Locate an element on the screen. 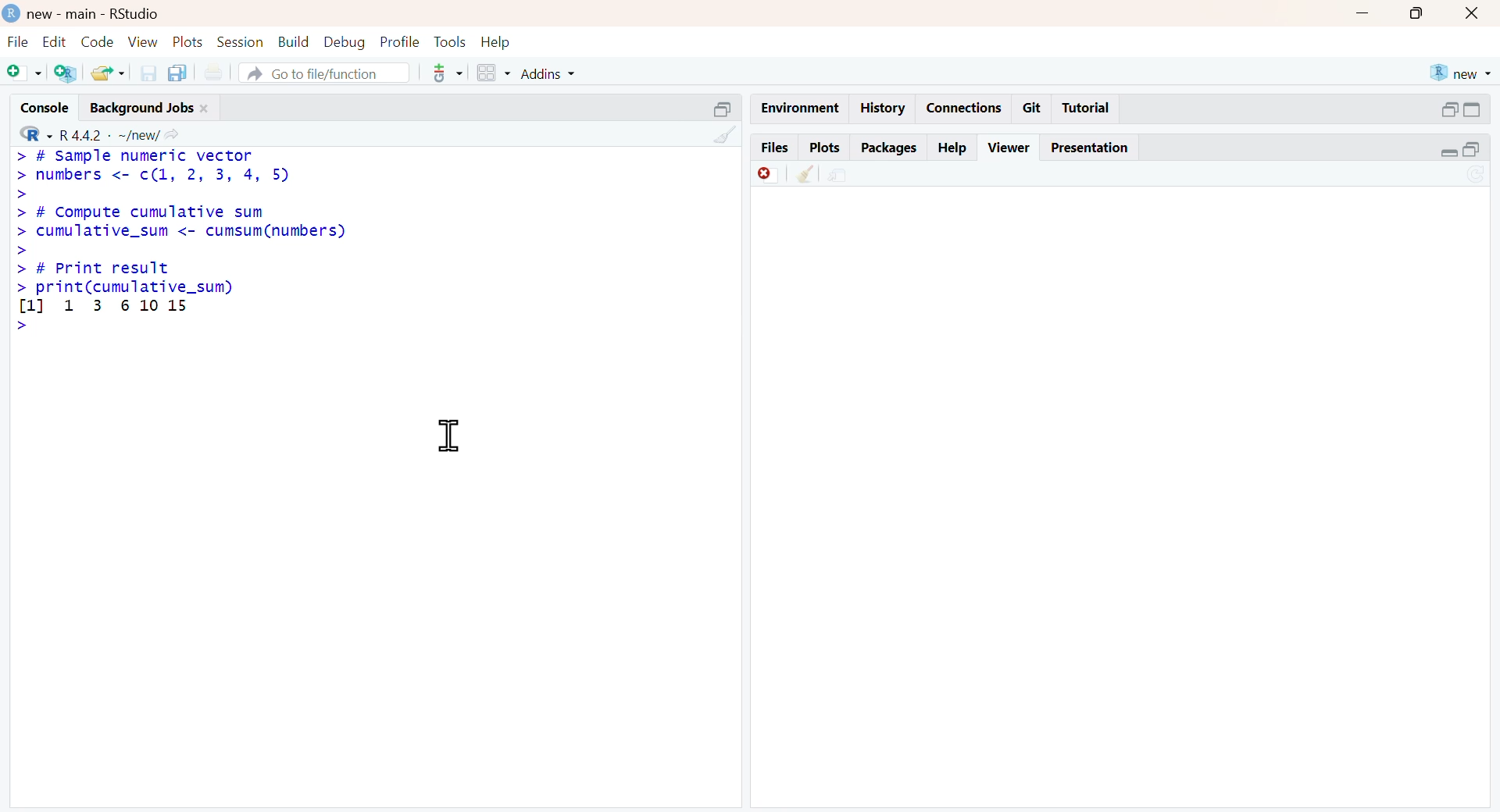 The height and width of the screenshot is (812, 1500). go to file/function is located at coordinates (325, 72).